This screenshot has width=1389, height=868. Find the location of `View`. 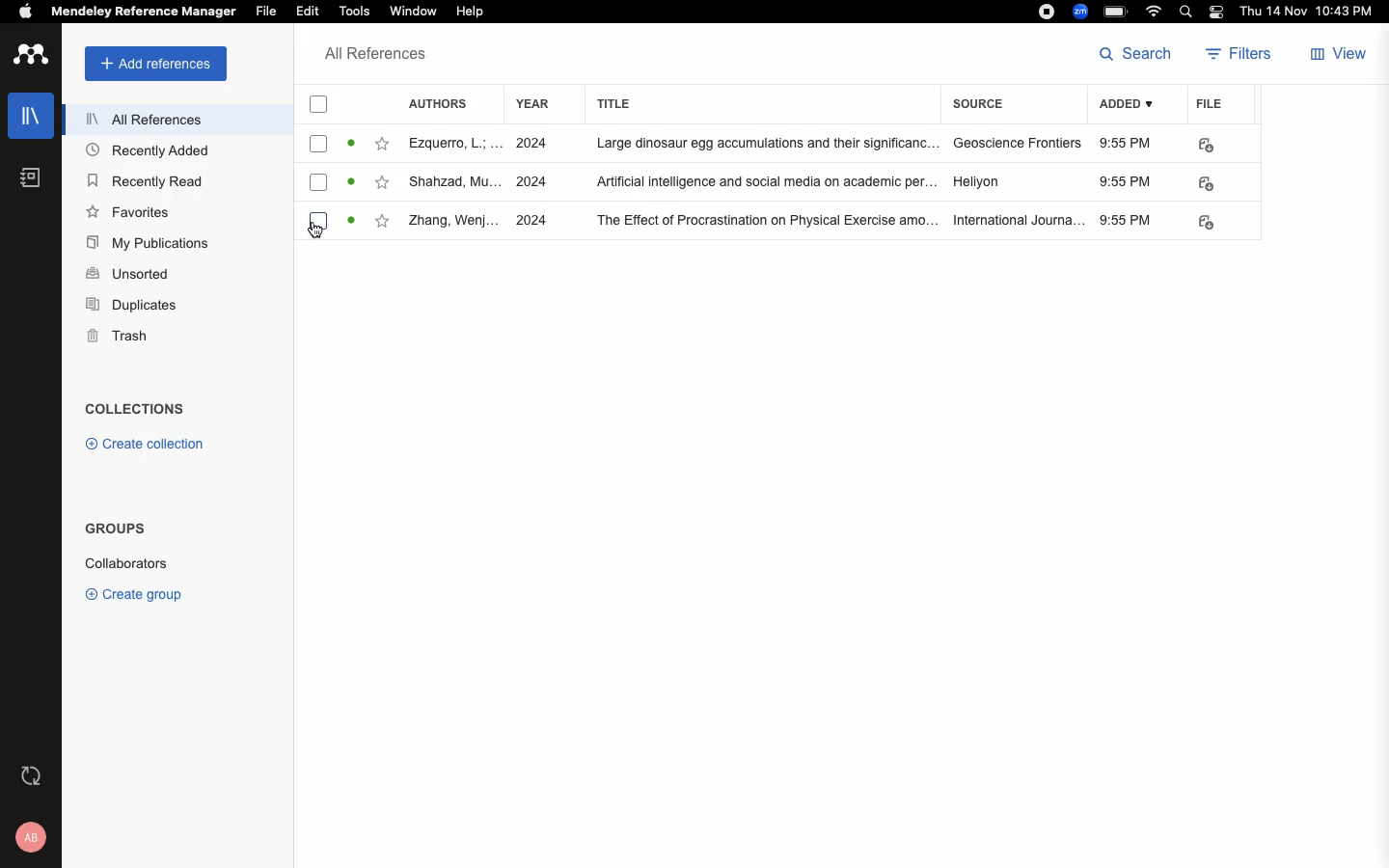

View is located at coordinates (1336, 56).